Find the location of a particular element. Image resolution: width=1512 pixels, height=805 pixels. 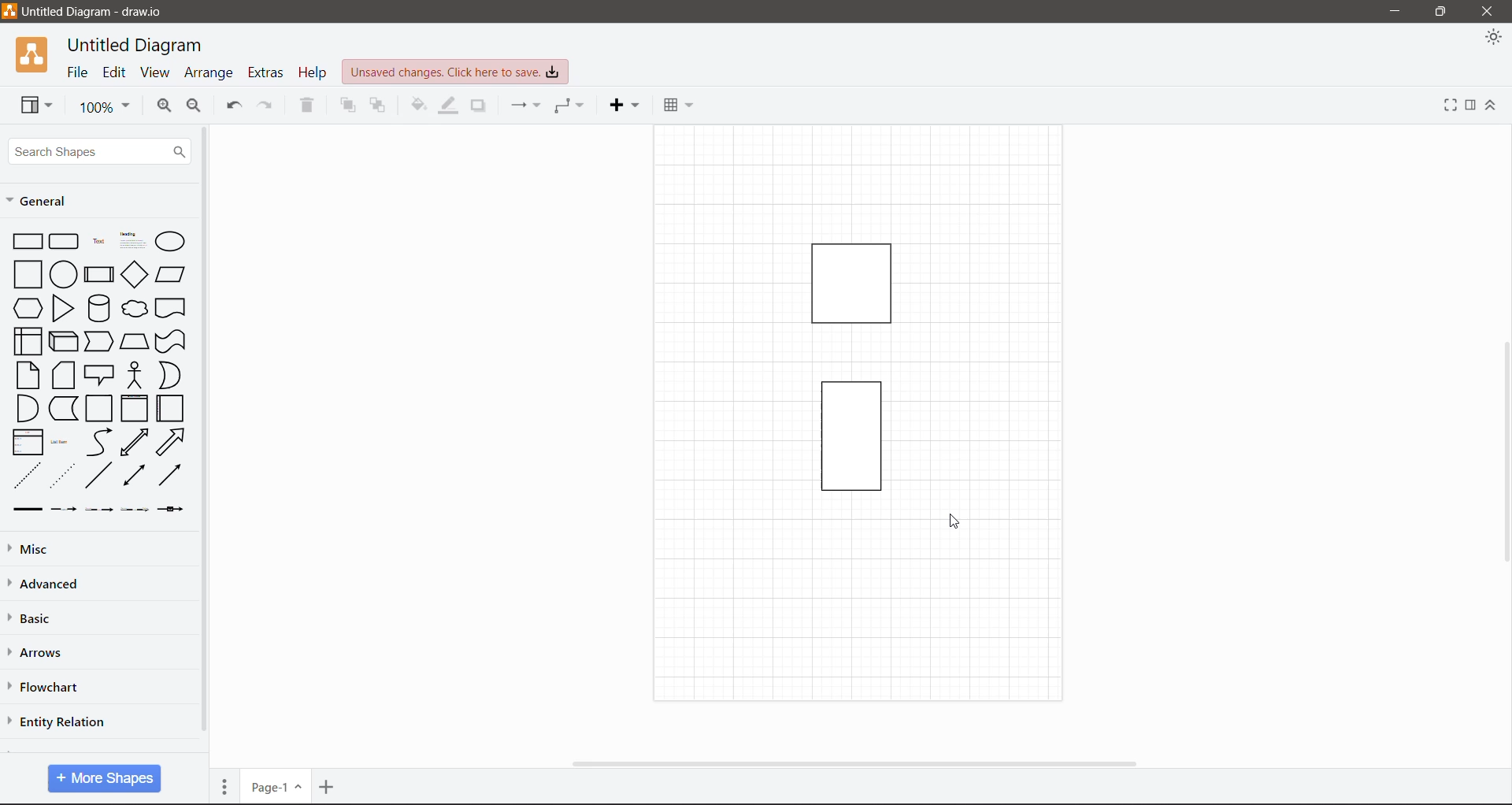

Waypoints is located at coordinates (569, 107).